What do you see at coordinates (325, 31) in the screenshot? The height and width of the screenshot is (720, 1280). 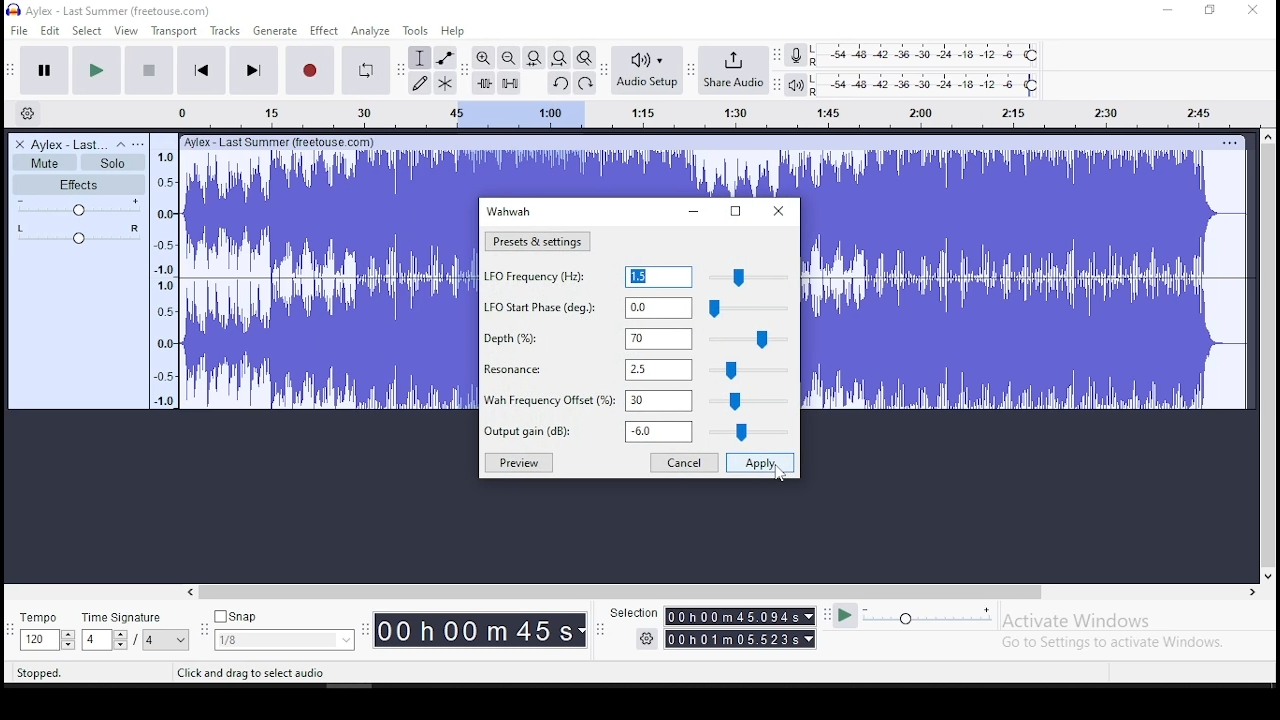 I see `effect` at bounding box center [325, 31].